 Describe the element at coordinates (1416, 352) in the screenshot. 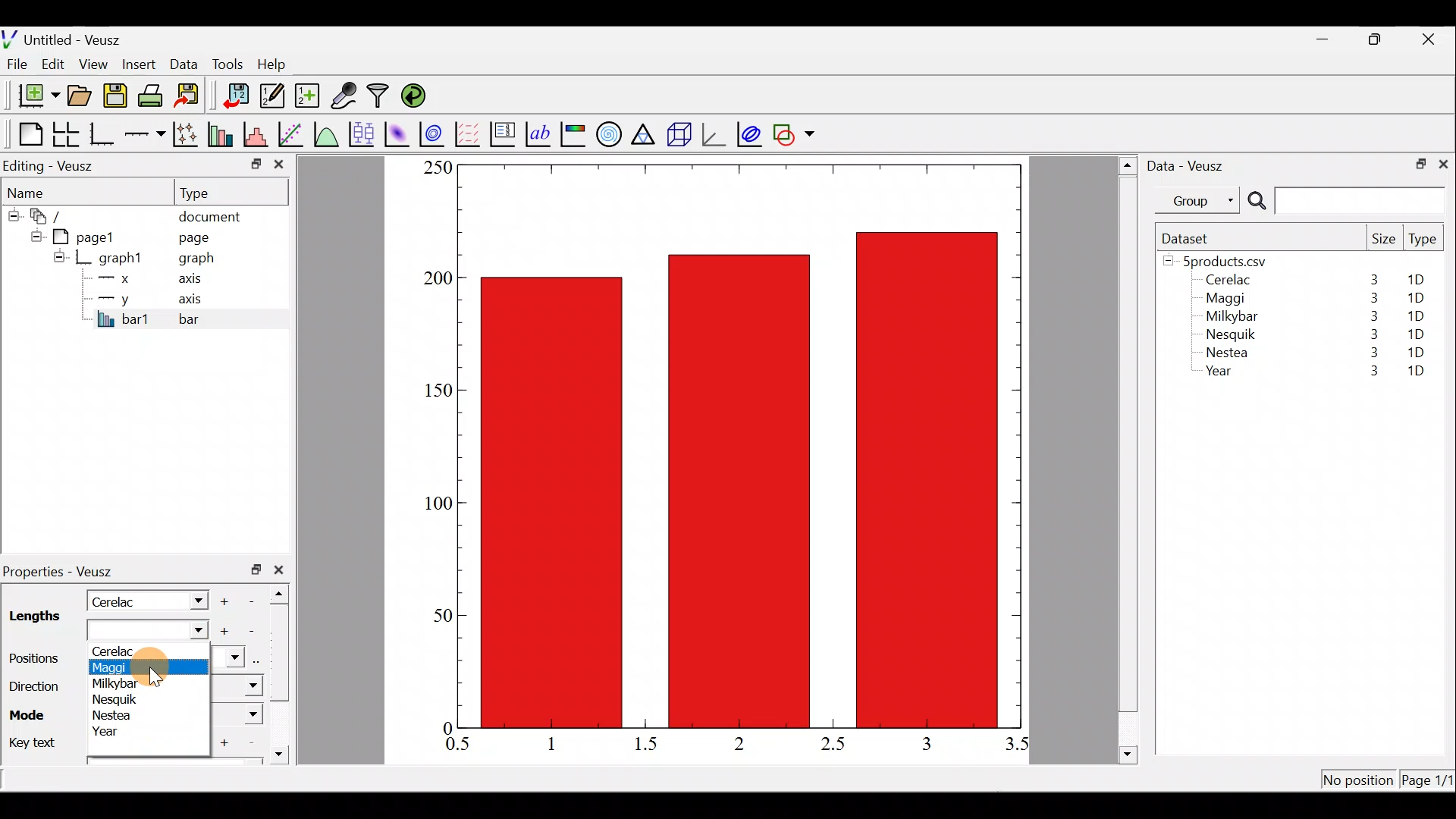

I see `1D` at that location.